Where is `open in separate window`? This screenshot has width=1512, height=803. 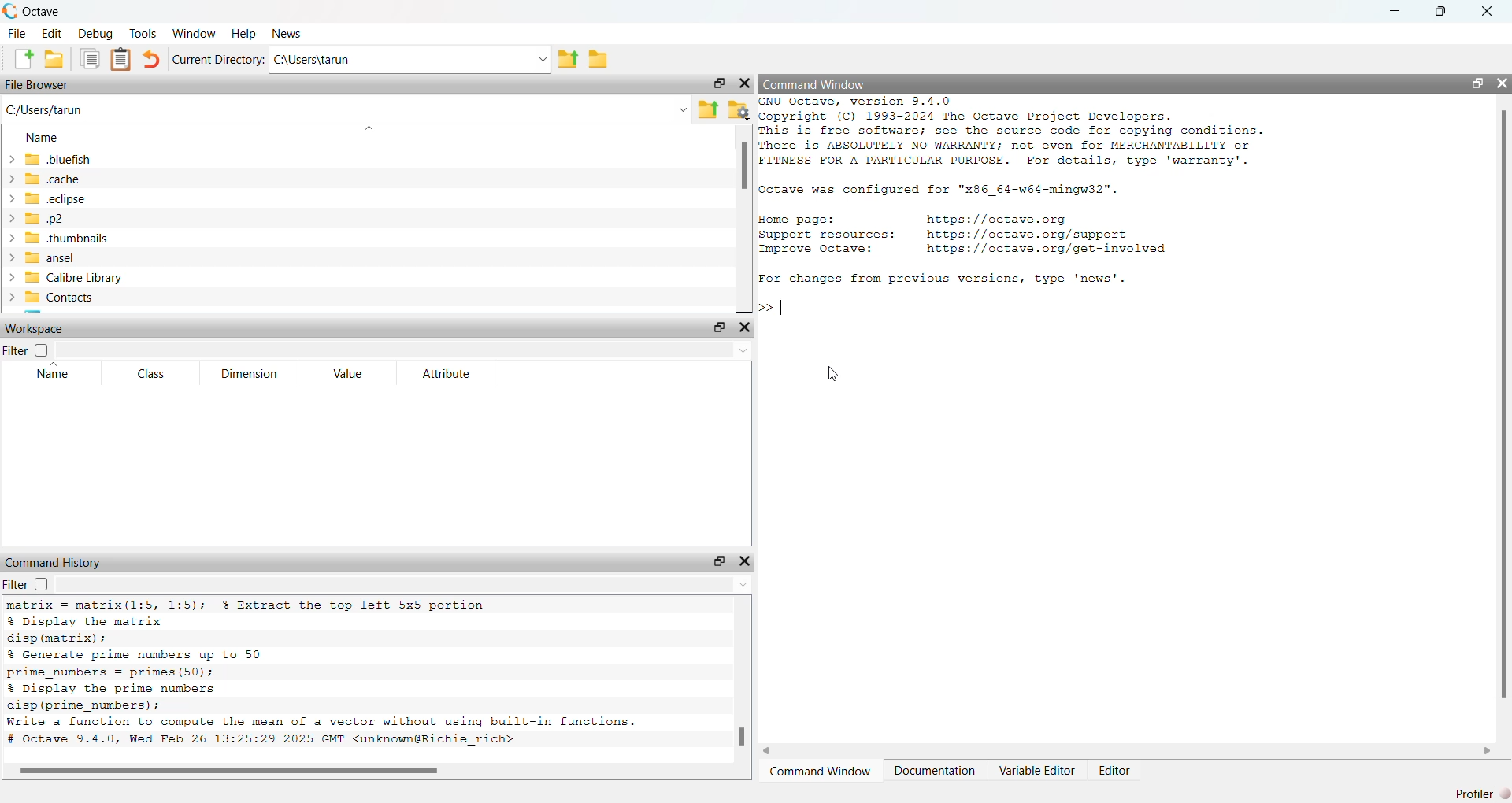 open in separate window is located at coordinates (721, 561).